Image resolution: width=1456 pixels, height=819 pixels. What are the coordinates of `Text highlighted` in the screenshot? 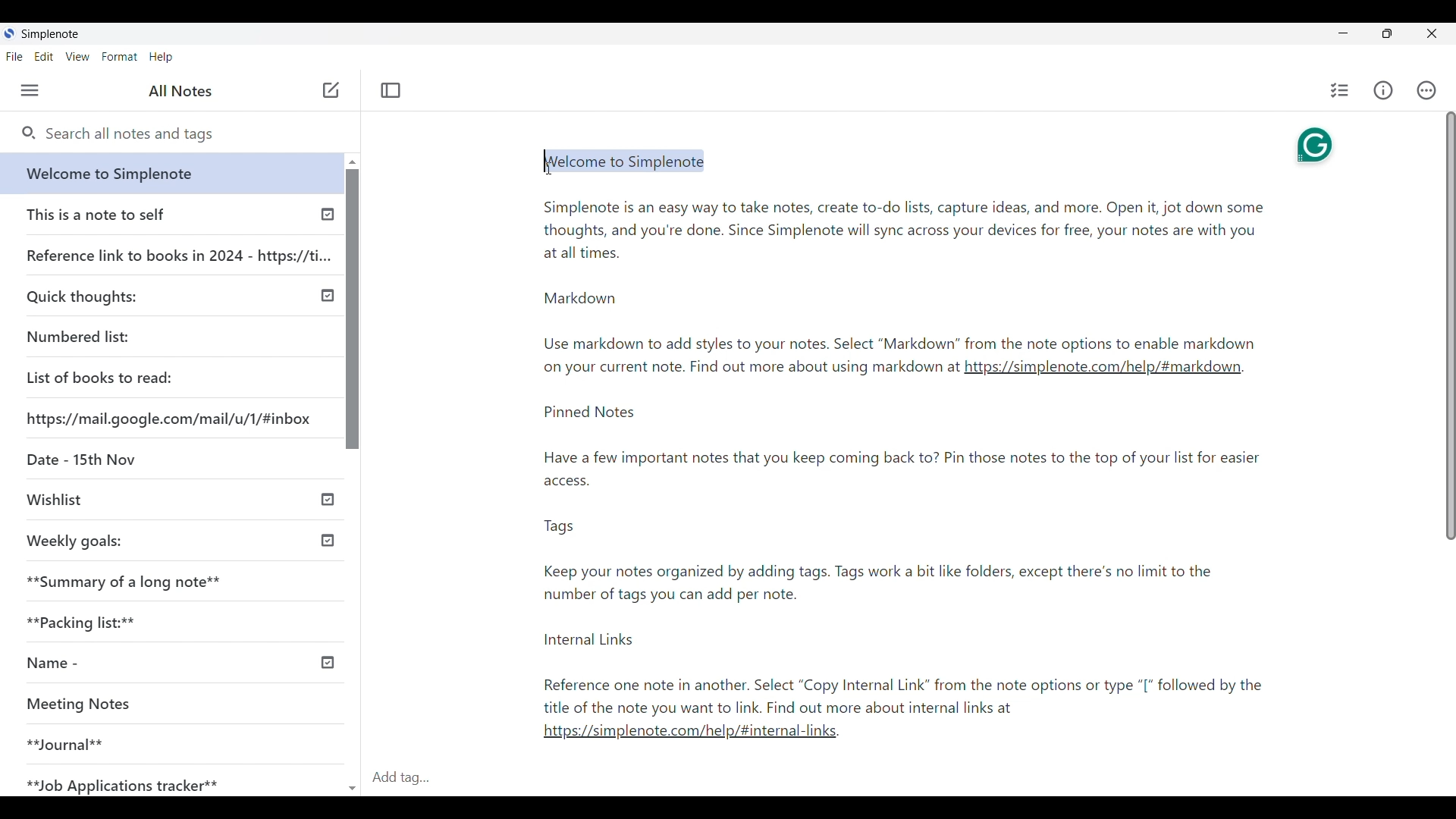 It's located at (633, 161).